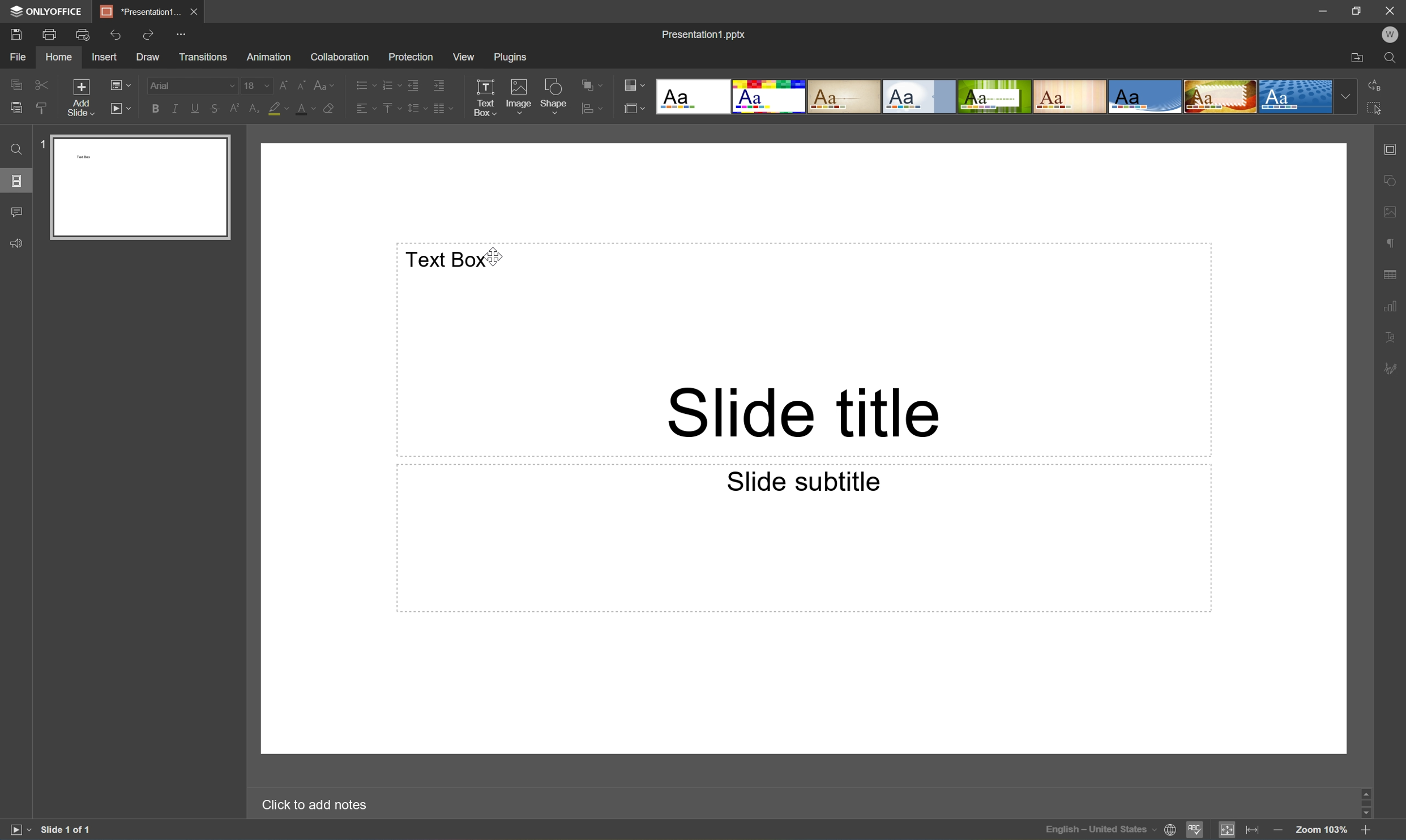 The width and height of the screenshot is (1406, 840). I want to click on Scroll Down, so click(1366, 812).